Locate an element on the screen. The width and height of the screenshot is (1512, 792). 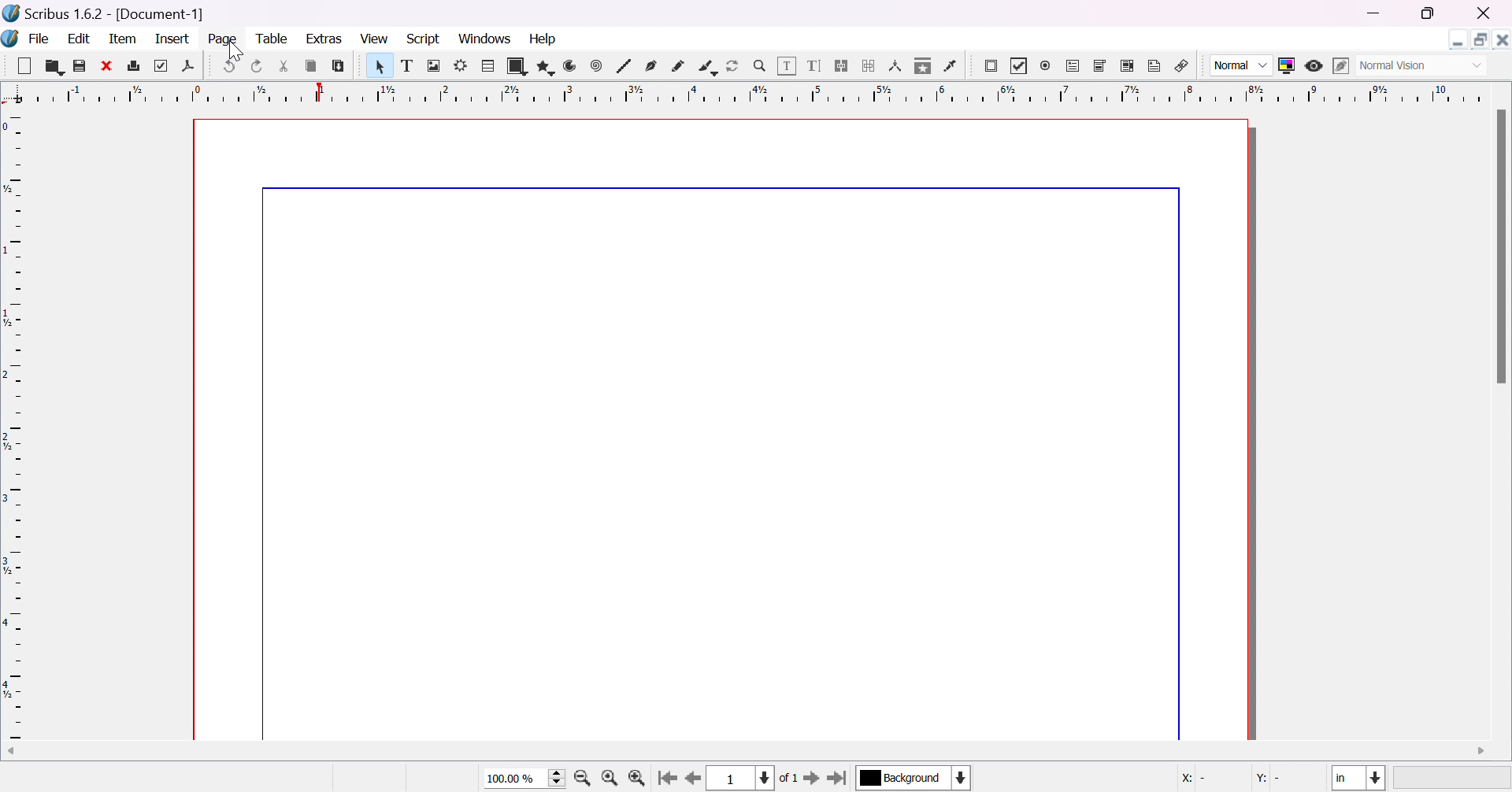
PDF push button is located at coordinates (991, 68).